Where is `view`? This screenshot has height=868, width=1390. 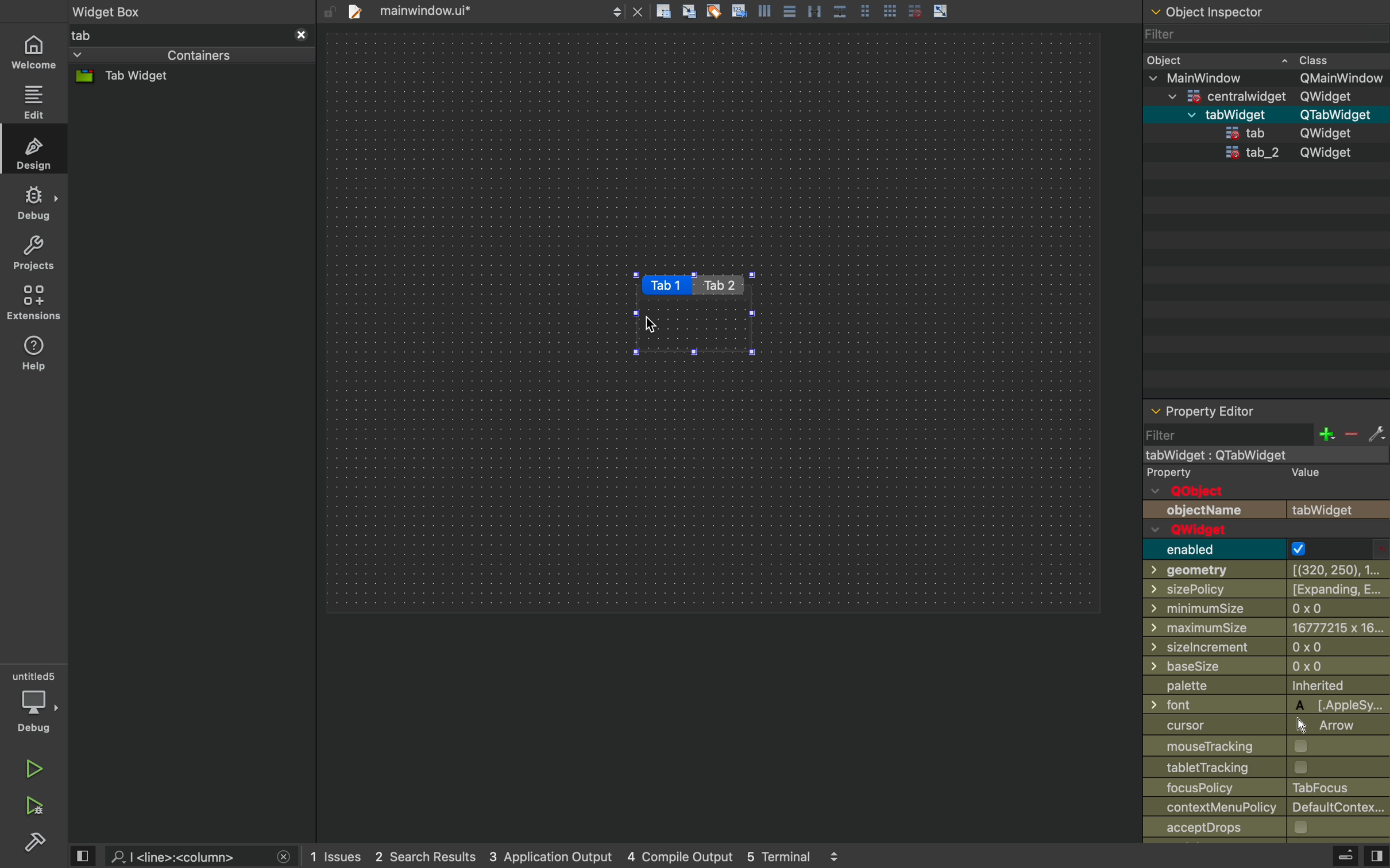 view is located at coordinates (1376, 857).